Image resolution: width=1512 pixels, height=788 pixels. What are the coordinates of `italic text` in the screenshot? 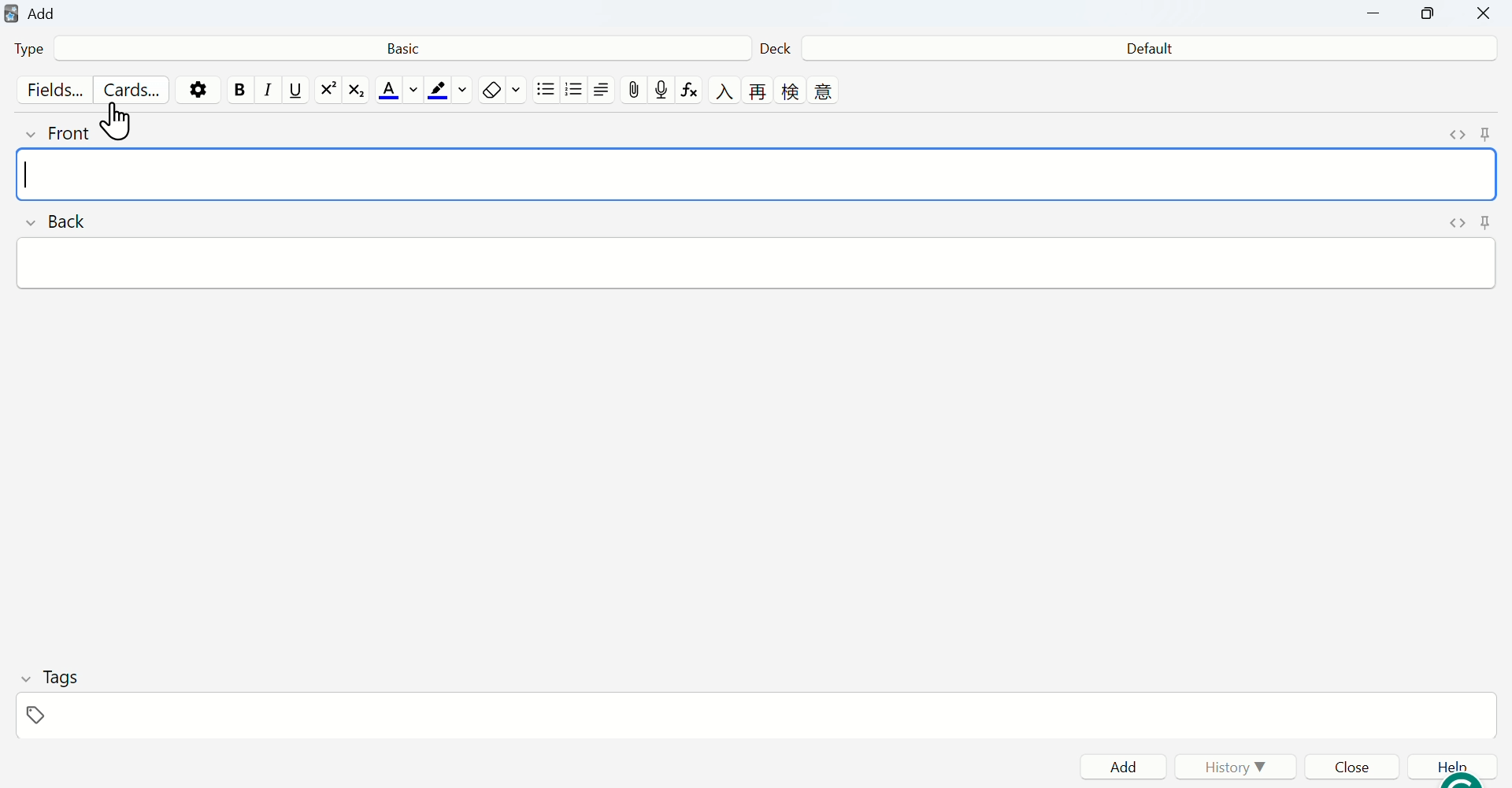 It's located at (268, 90).